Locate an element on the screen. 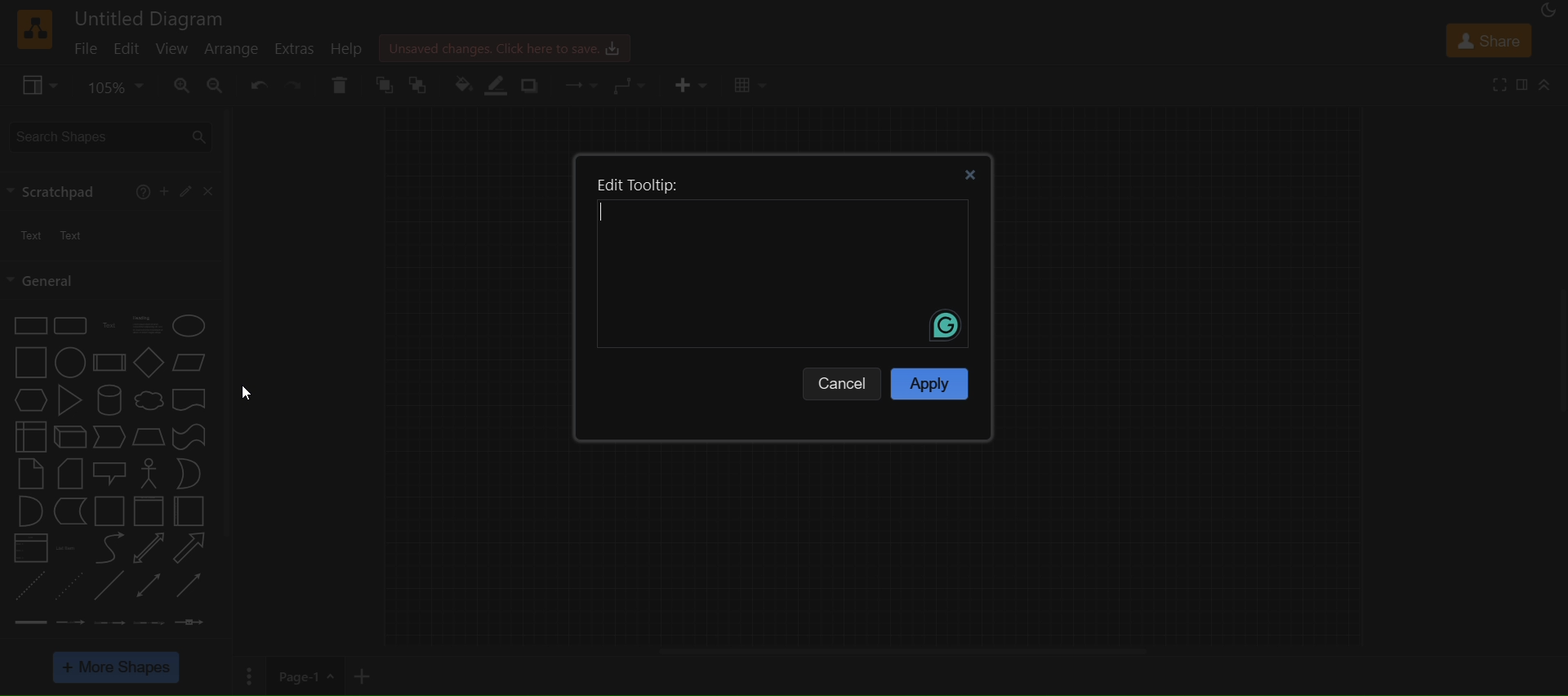 This screenshot has width=1568, height=696. arrow is located at coordinates (190, 548).